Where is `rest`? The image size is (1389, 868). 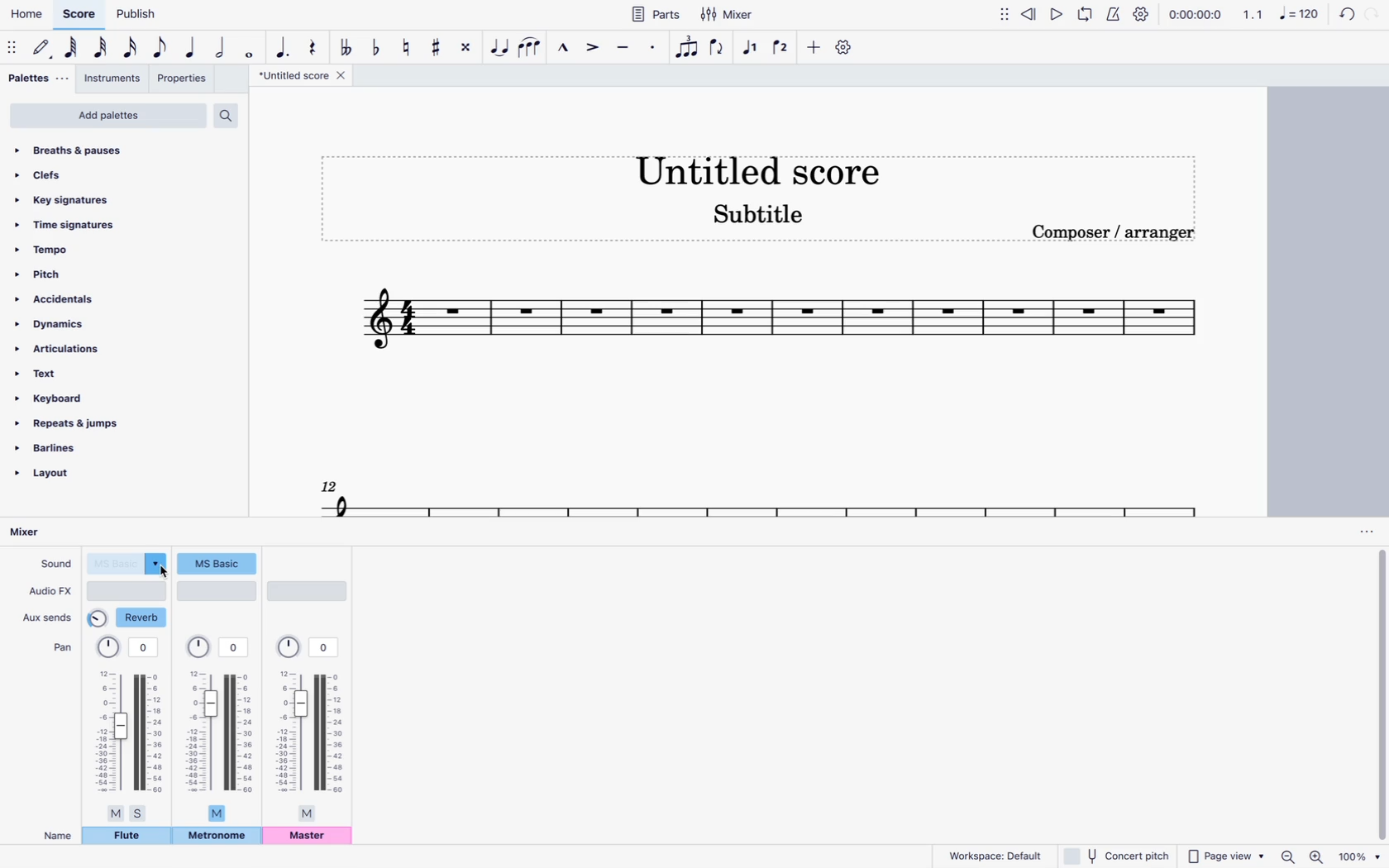
rest is located at coordinates (313, 44).